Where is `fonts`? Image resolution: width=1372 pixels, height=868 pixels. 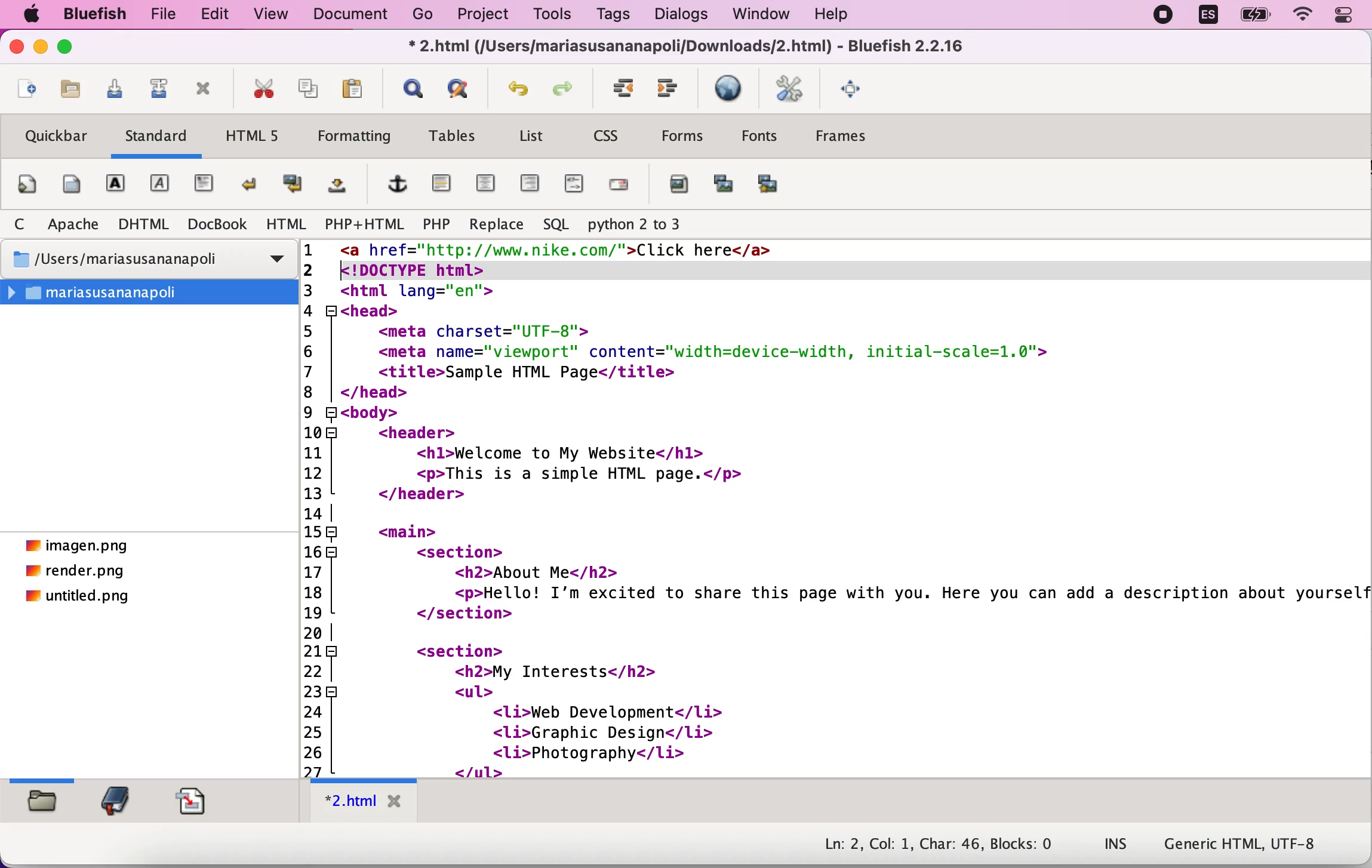 fonts is located at coordinates (760, 138).